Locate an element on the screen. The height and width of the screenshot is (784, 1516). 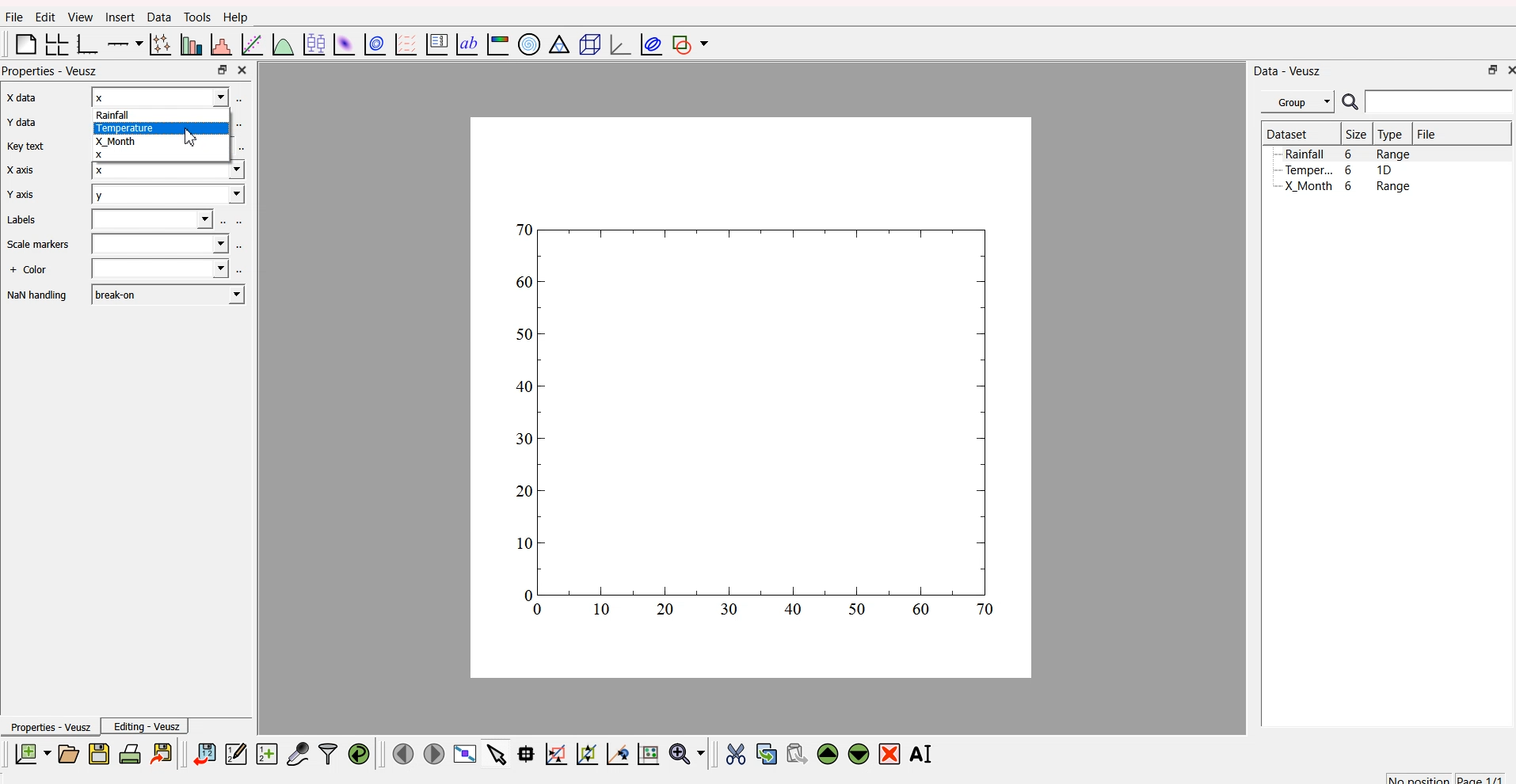
paste the widget from the clipboard is located at coordinates (796, 753).